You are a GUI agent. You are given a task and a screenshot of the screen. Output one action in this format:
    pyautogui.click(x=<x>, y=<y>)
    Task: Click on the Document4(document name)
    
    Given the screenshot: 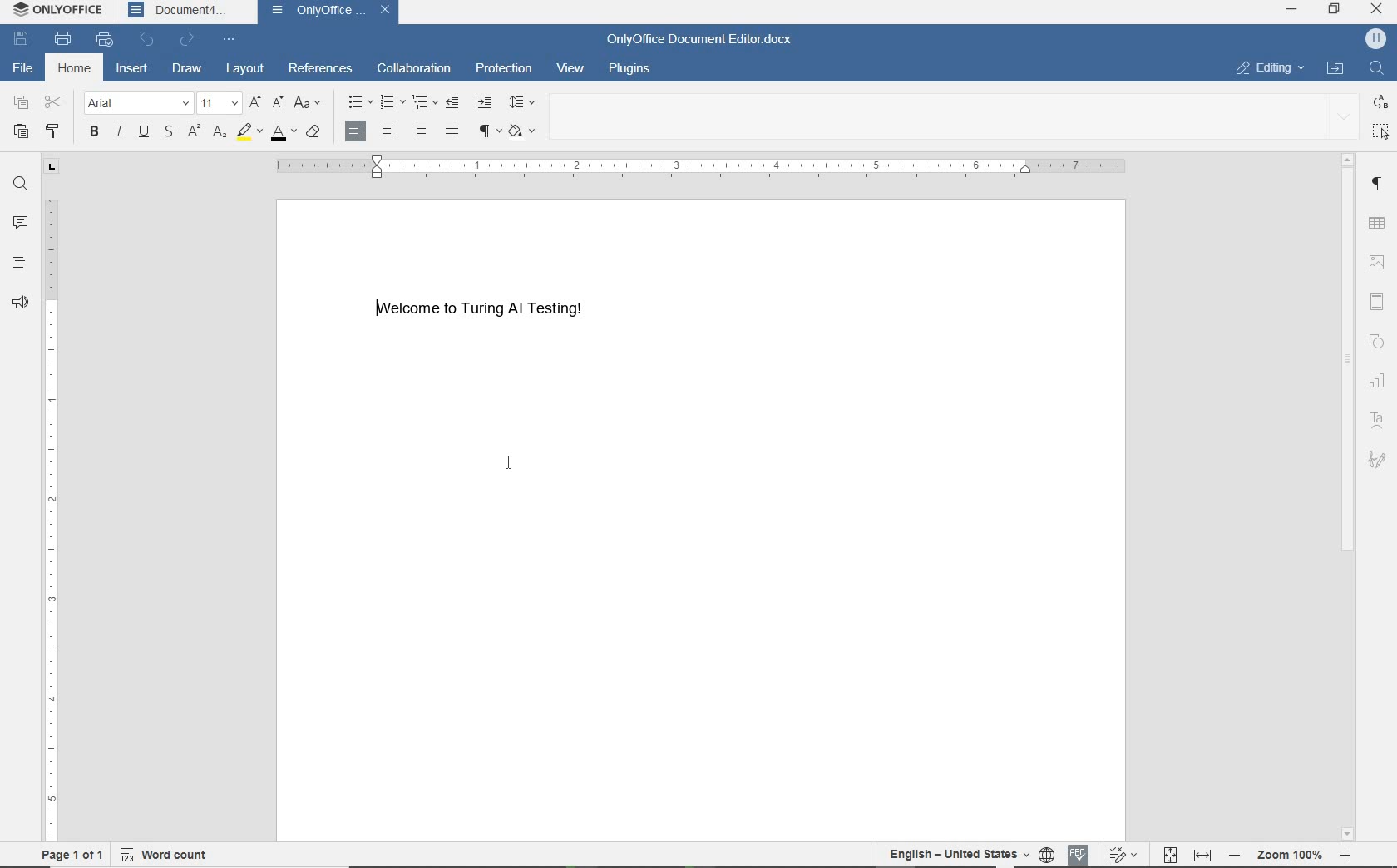 What is the action you would take?
    pyautogui.click(x=184, y=12)
    